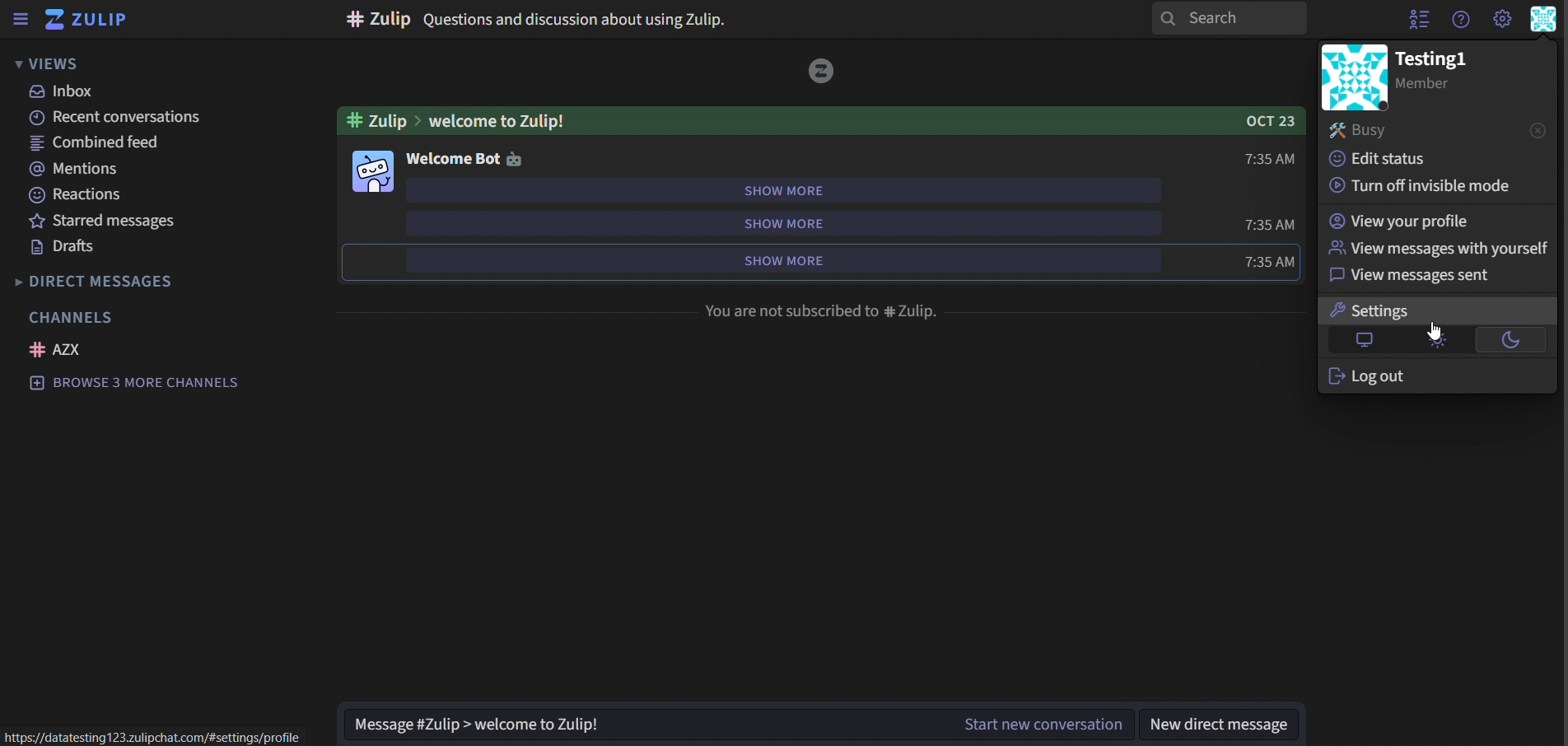 The image size is (1568, 746). I want to click on show more, so click(789, 224).